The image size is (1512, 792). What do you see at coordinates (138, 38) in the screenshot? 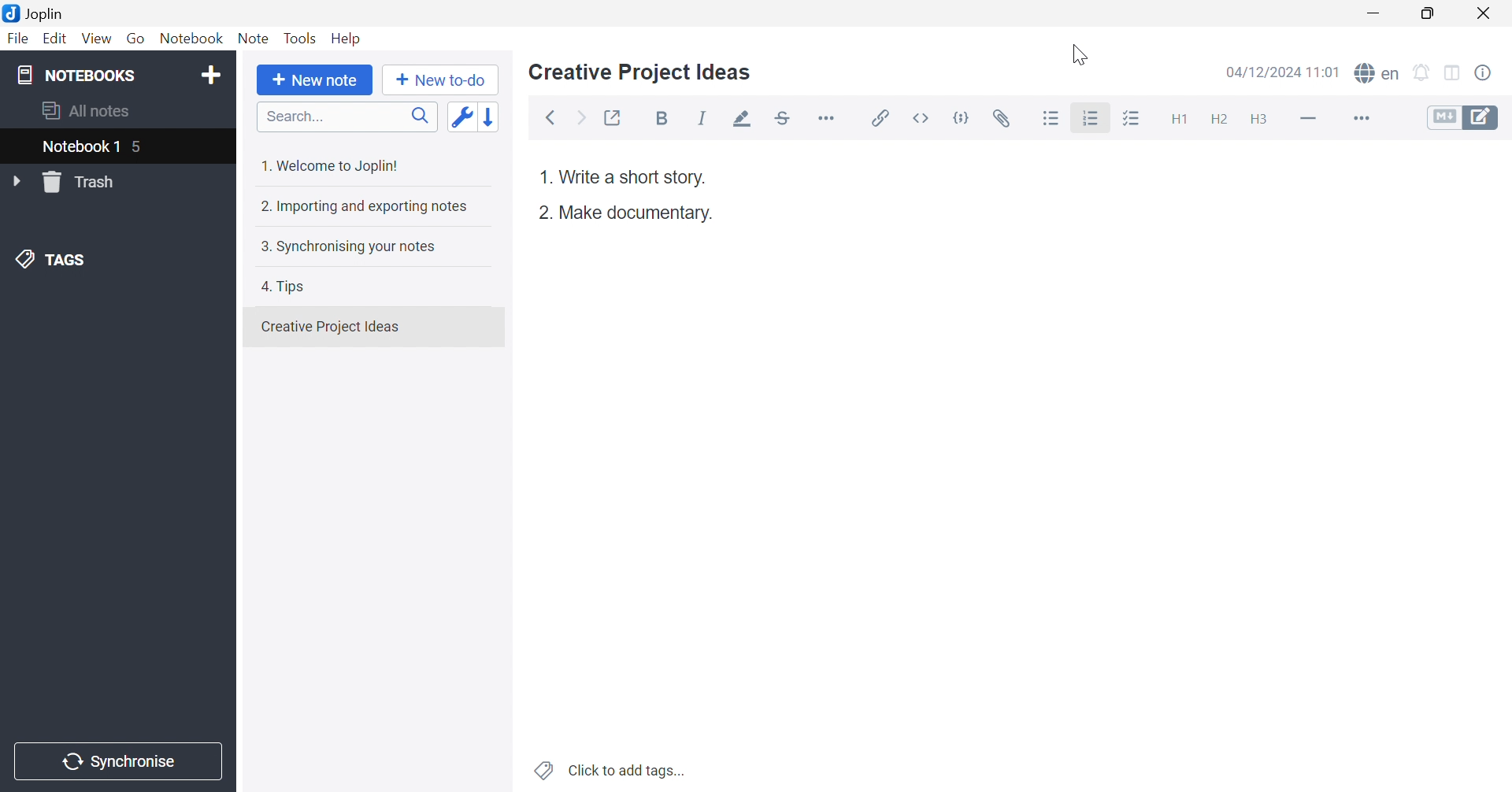
I see `Go` at bounding box center [138, 38].